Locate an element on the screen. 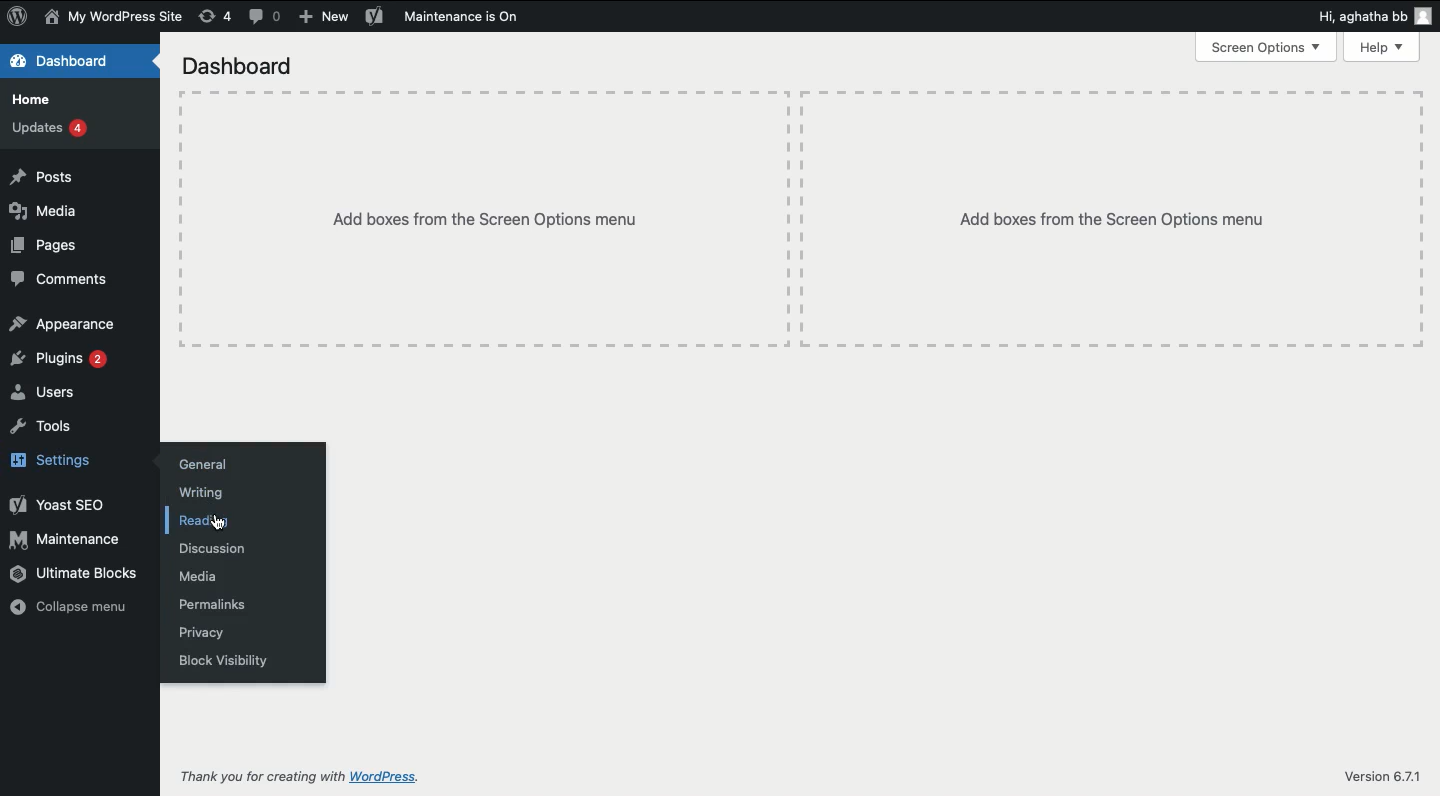 This screenshot has height=796, width=1440. settings is located at coordinates (53, 461).